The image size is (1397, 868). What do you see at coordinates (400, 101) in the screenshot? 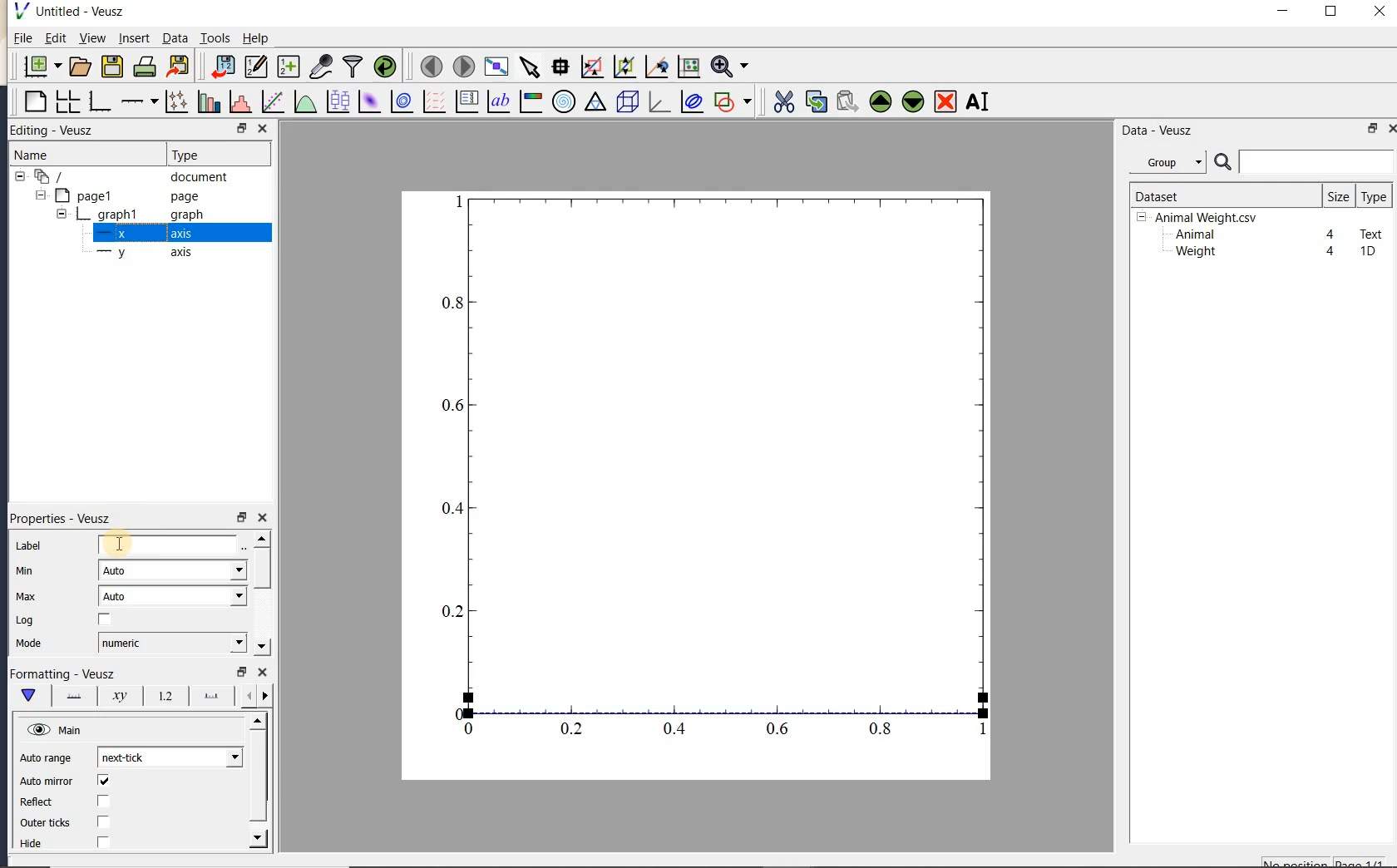
I see `plot a 2d dataset as contours` at bounding box center [400, 101].